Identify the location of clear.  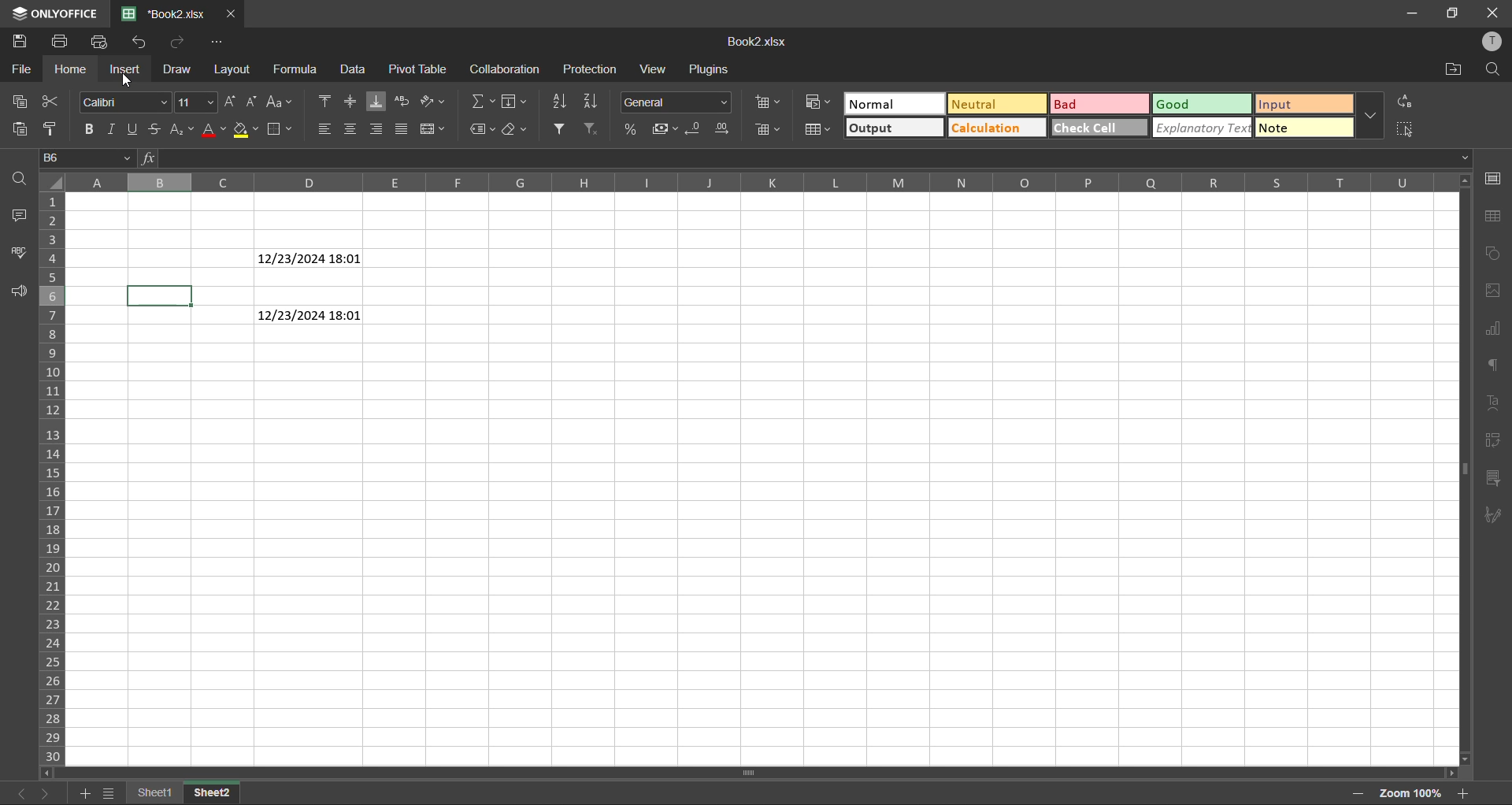
(519, 129).